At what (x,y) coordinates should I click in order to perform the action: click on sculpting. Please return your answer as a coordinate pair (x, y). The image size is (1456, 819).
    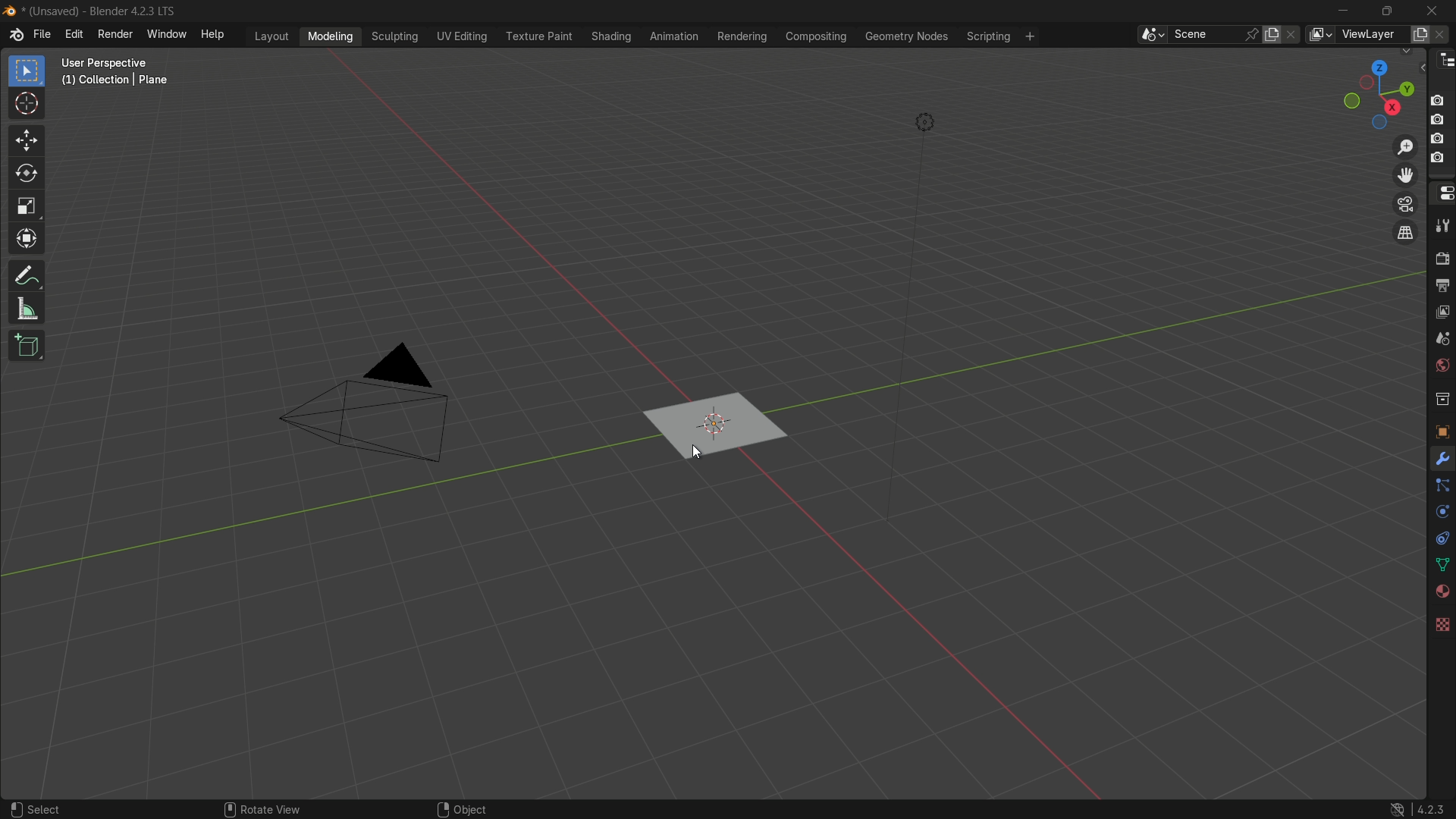
    Looking at the image, I should click on (395, 37).